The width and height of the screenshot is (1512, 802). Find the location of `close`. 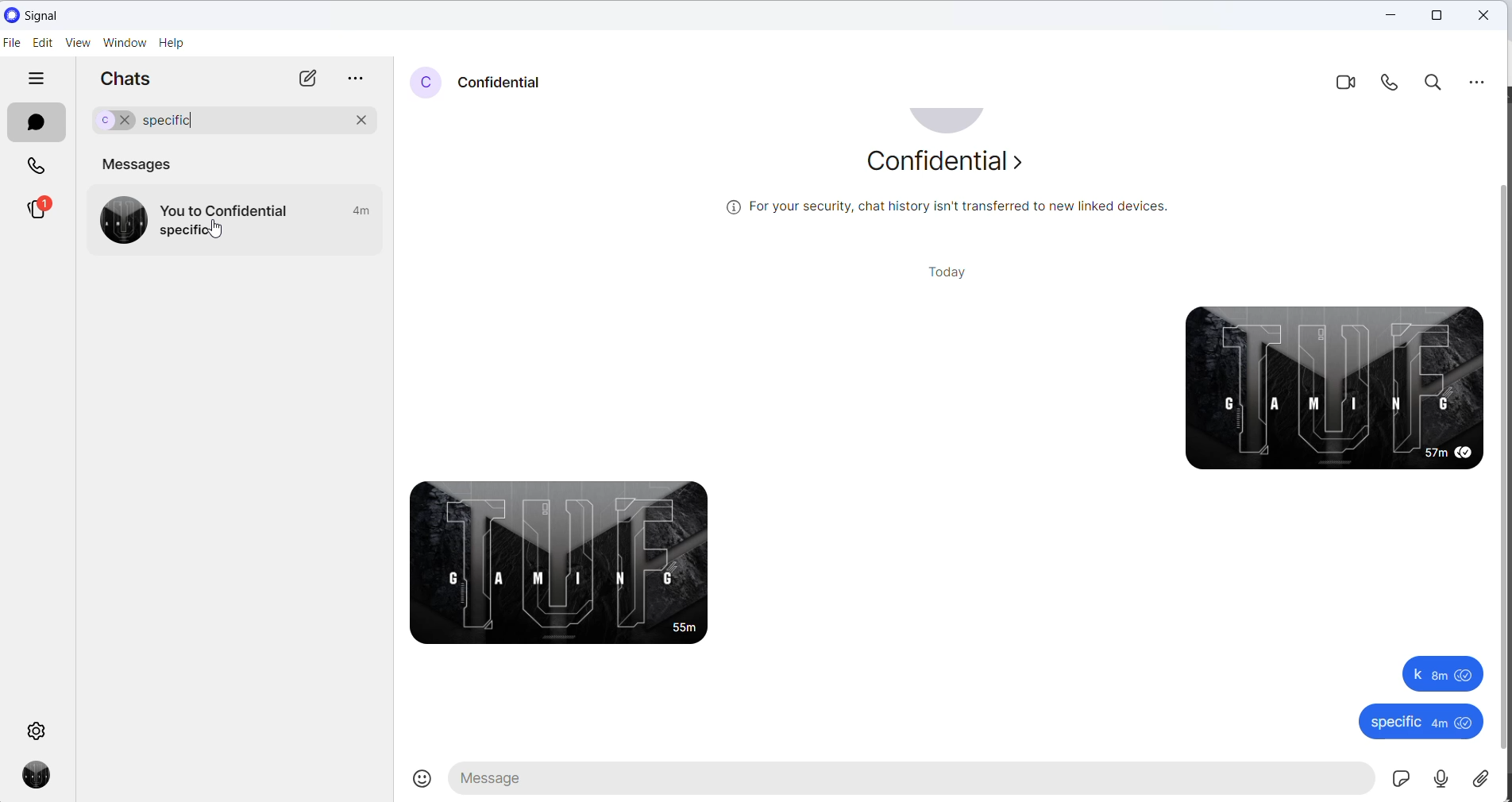

close is located at coordinates (1483, 15).